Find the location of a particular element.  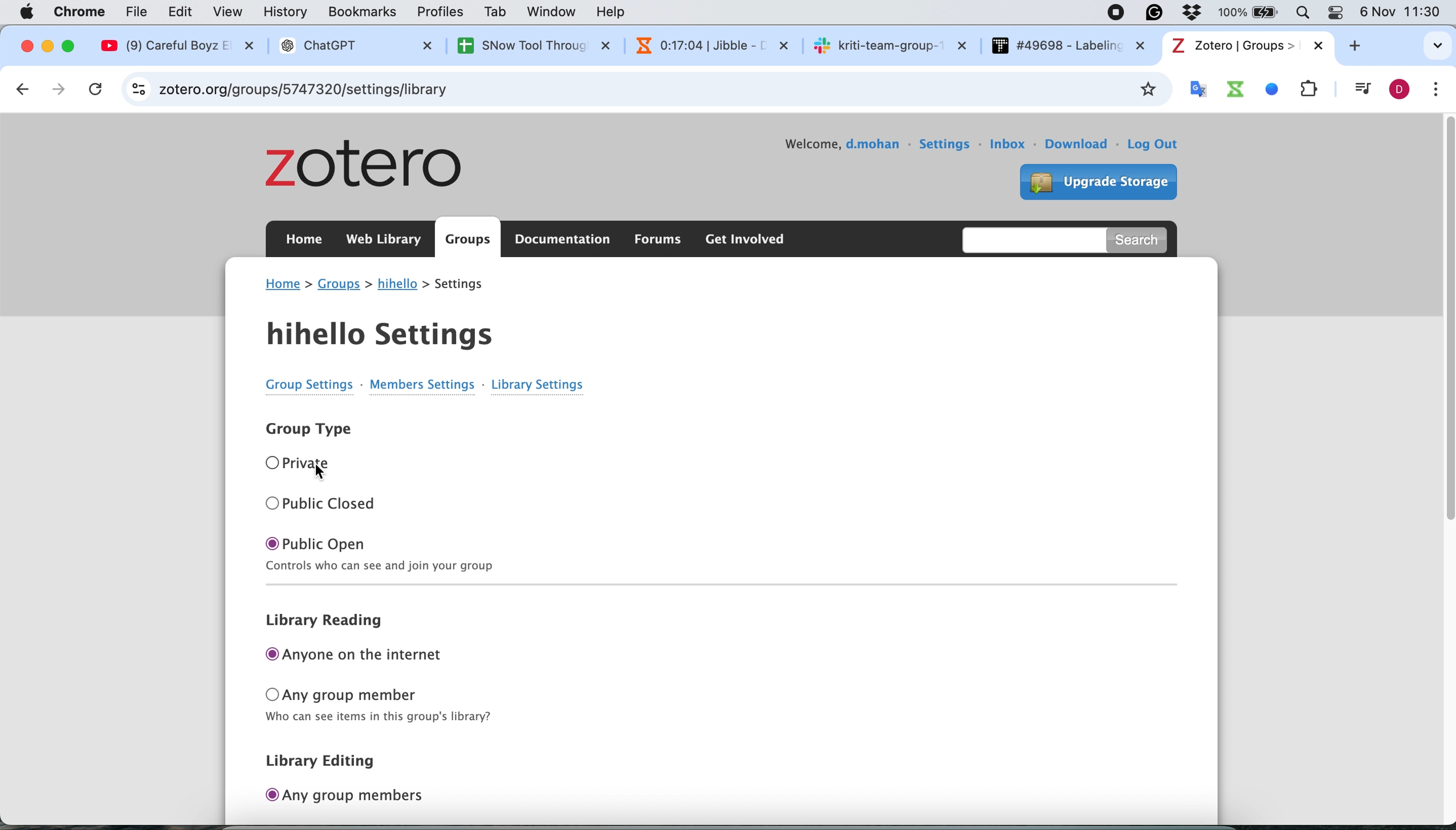

SNow Tool Throuc  X is located at coordinates (524, 45).